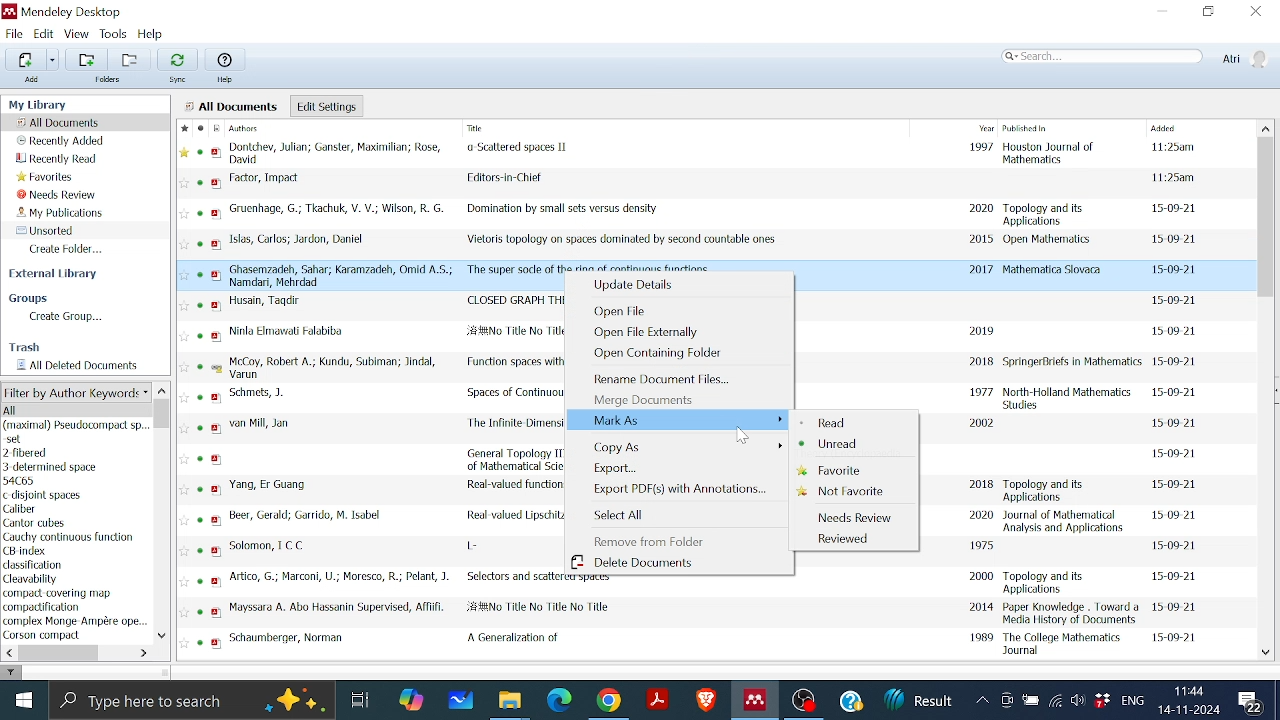 This screenshot has height=720, width=1280. I want to click on Merege Documents, so click(661, 400).